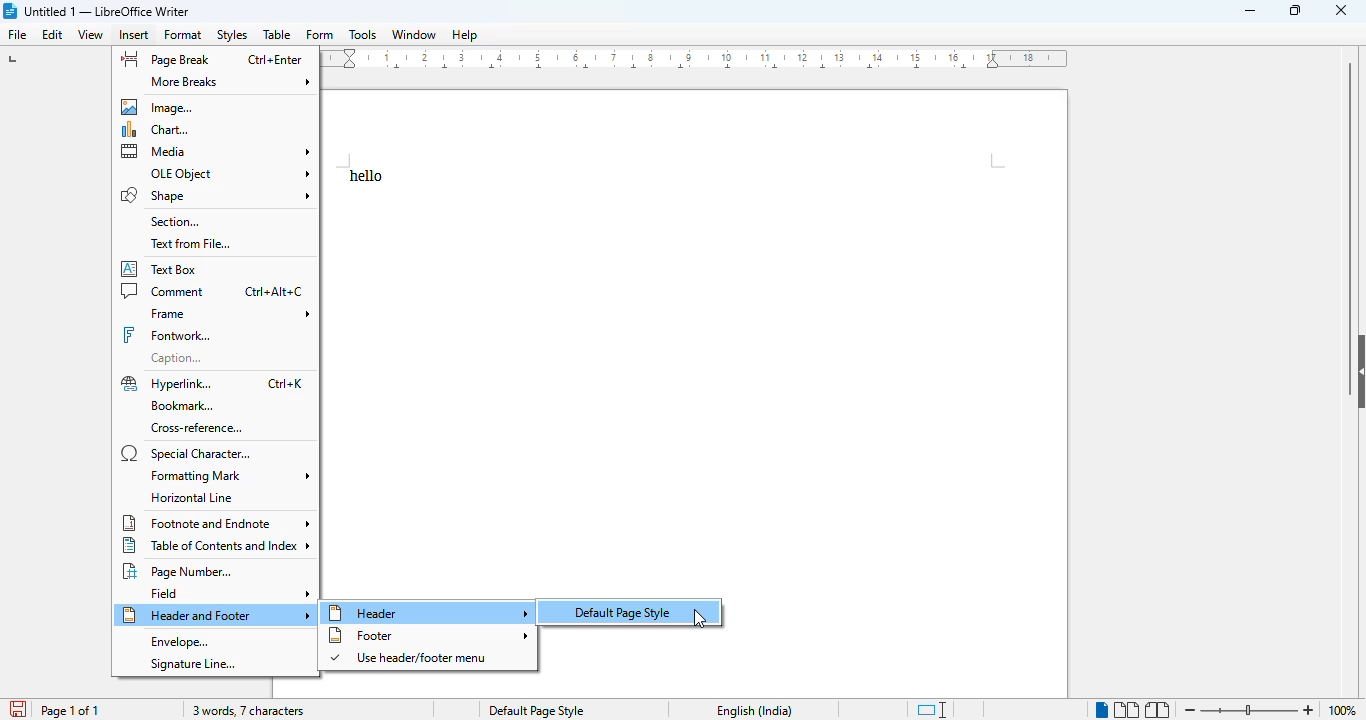 This screenshot has width=1366, height=720. What do you see at coordinates (156, 130) in the screenshot?
I see `chart` at bounding box center [156, 130].